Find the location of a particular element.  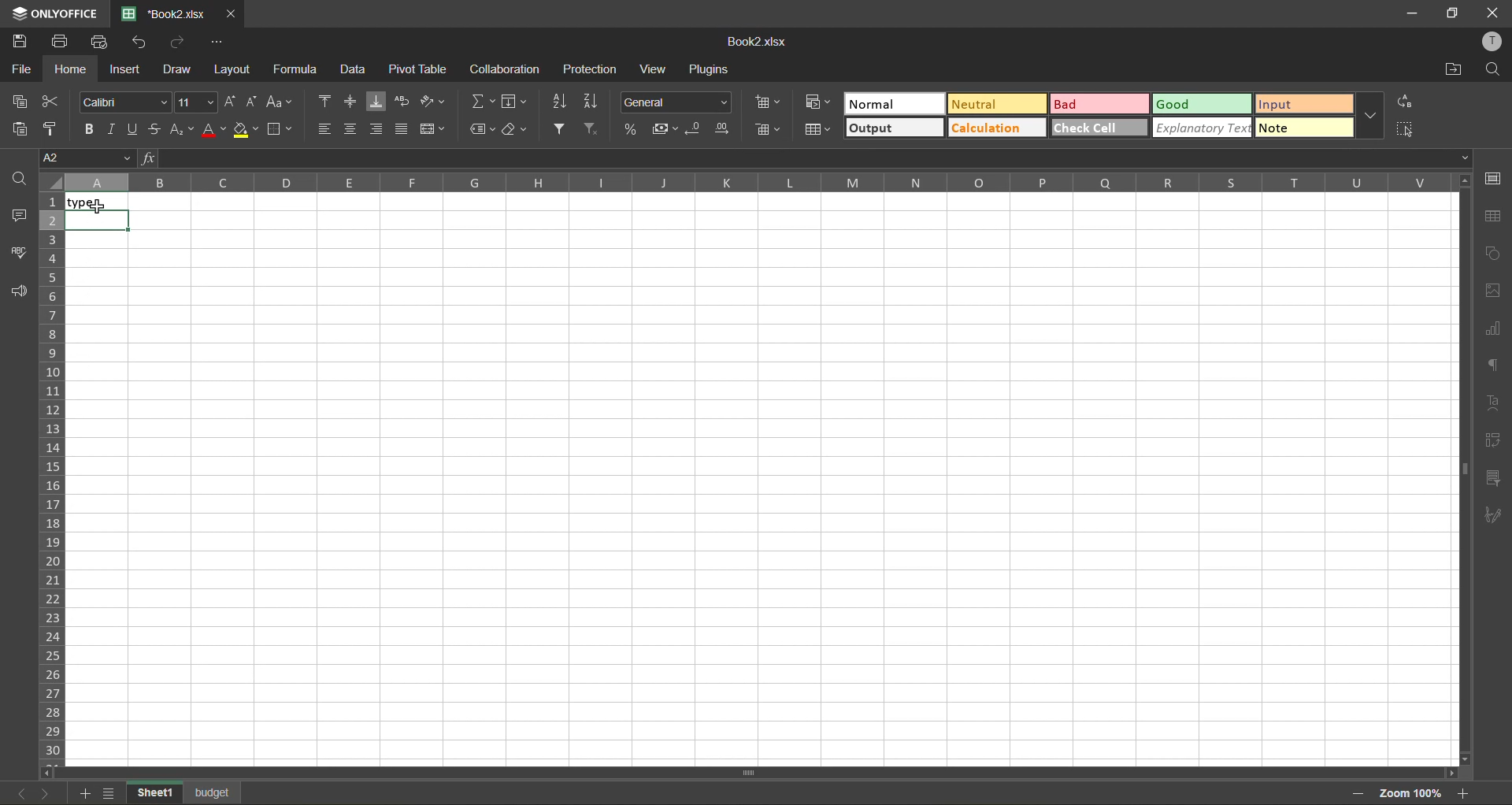

align left is located at coordinates (324, 128).